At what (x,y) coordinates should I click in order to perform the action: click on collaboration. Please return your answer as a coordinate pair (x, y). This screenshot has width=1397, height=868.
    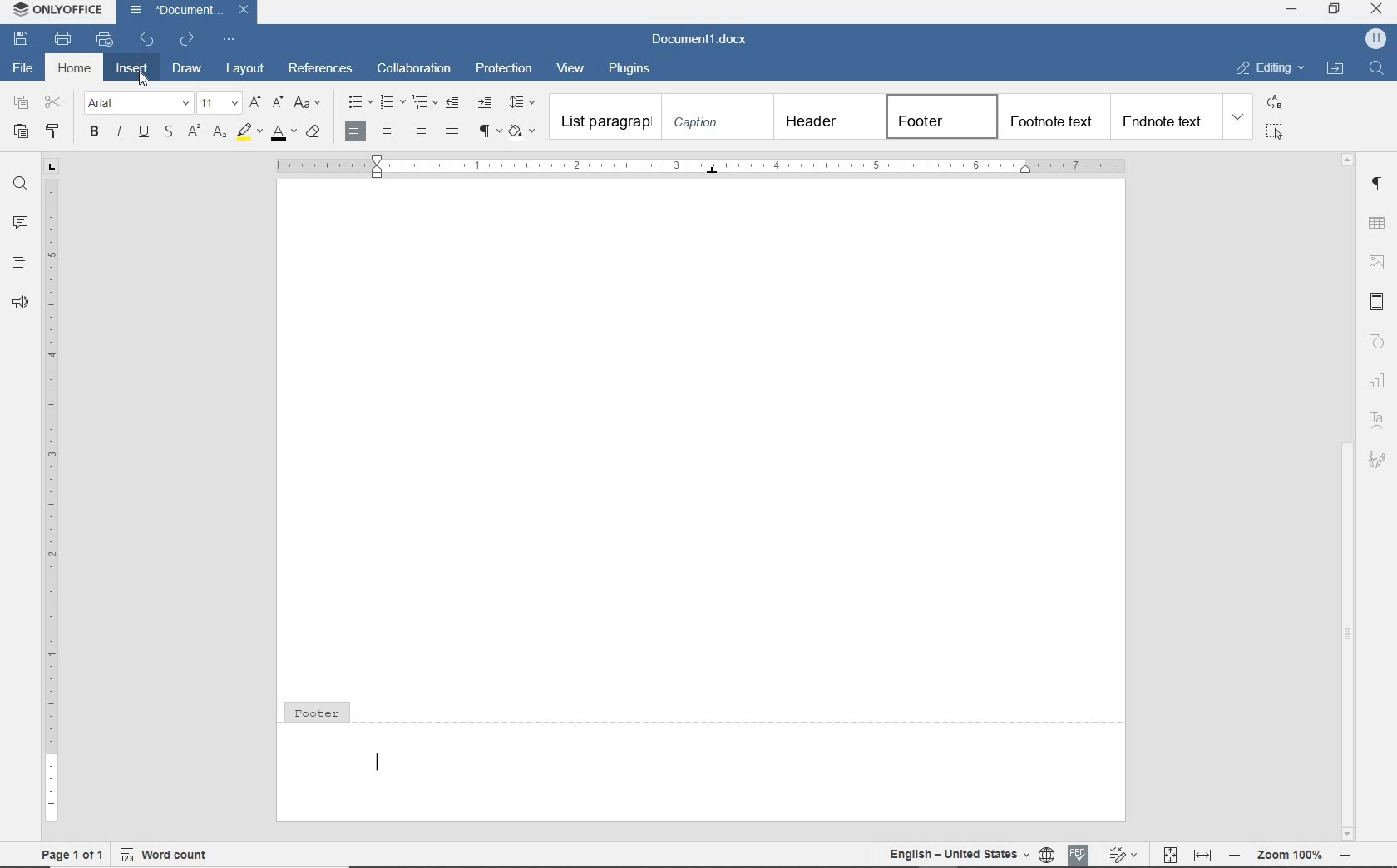
    Looking at the image, I should click on (412, 70).